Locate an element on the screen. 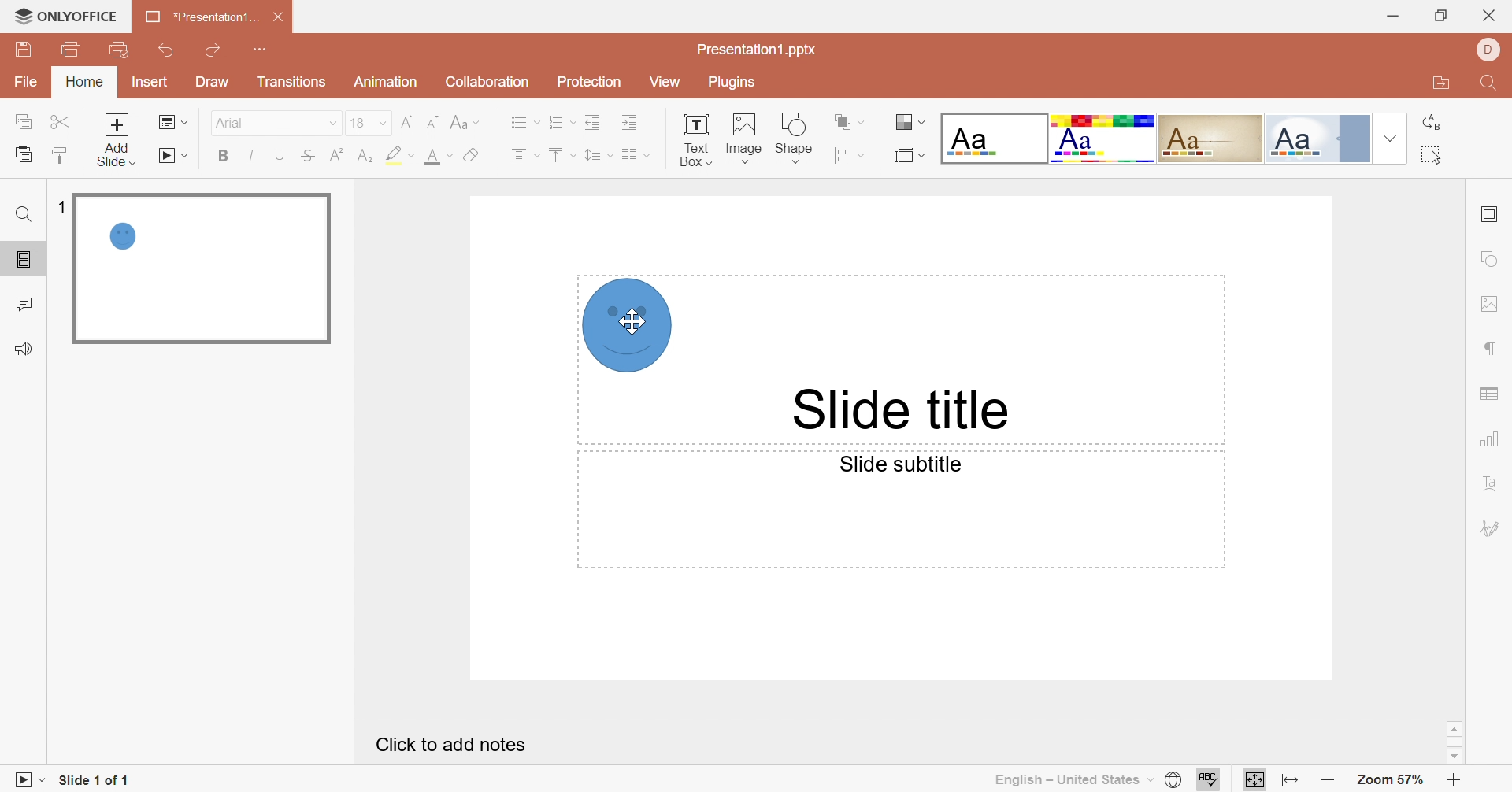 This screenshot has width=1512, height=792. Draw is located at coordinates (213, 83).